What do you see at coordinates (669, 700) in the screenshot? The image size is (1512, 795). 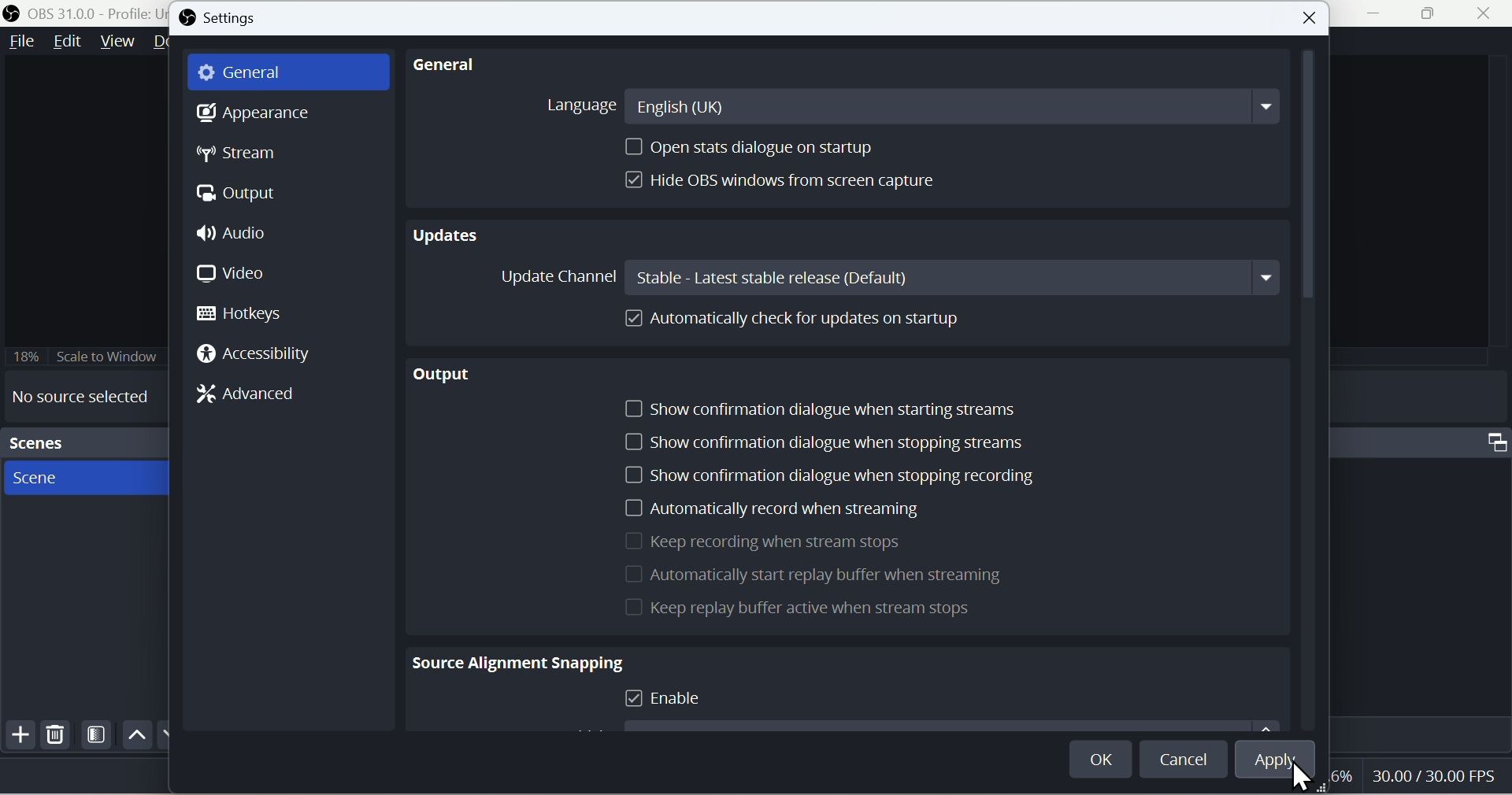 I see `Enable` at bounding box center [669, 700].